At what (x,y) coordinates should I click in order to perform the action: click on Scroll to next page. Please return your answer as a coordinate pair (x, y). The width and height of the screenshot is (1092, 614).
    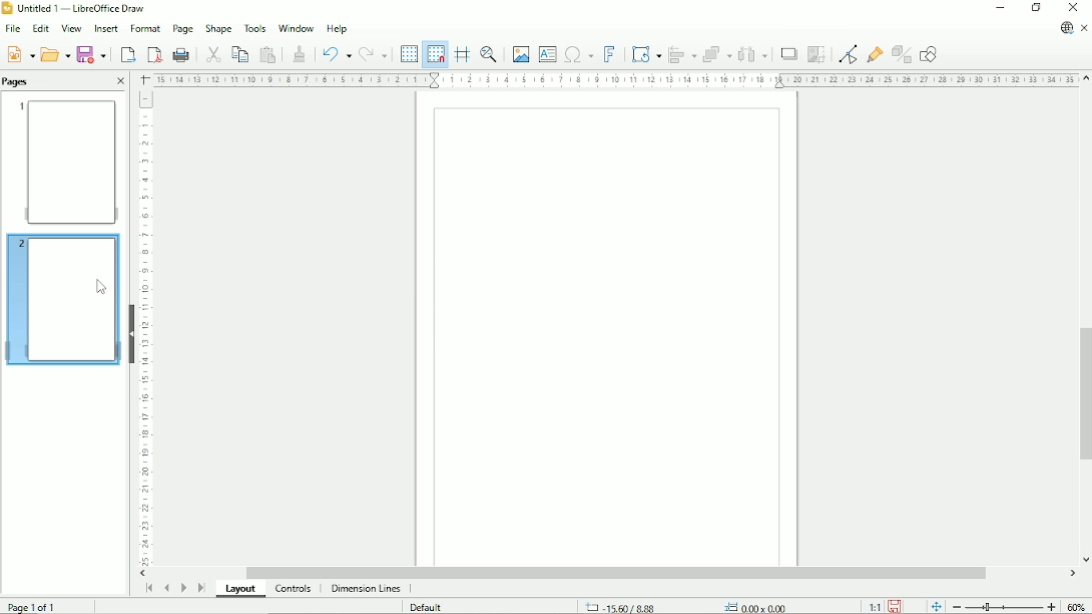
    Looking at the image, I should click on (183, 588).